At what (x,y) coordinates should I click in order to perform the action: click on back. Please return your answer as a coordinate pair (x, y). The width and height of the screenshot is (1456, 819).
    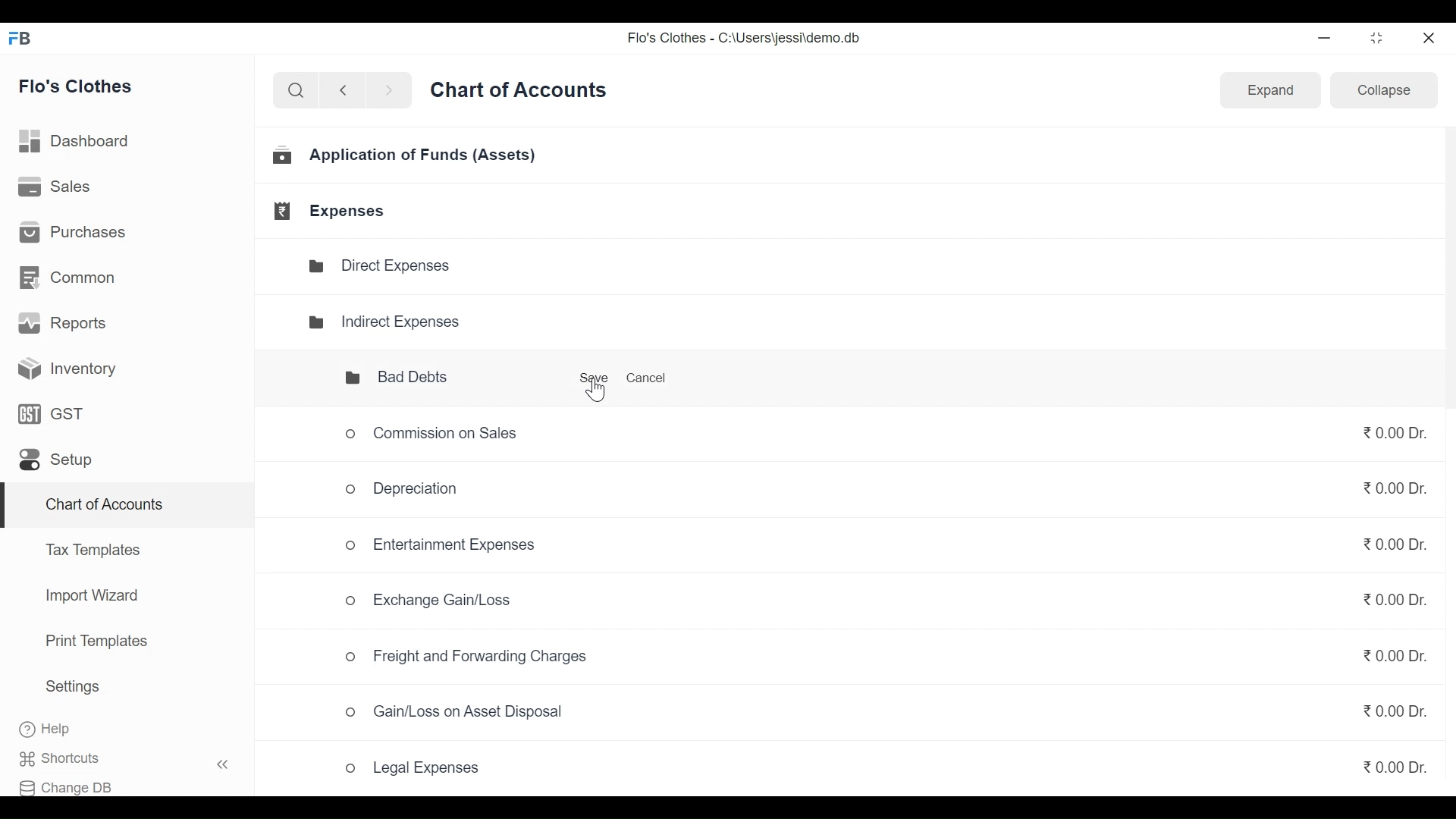
    Looking at the image, I should click on (349, 93).